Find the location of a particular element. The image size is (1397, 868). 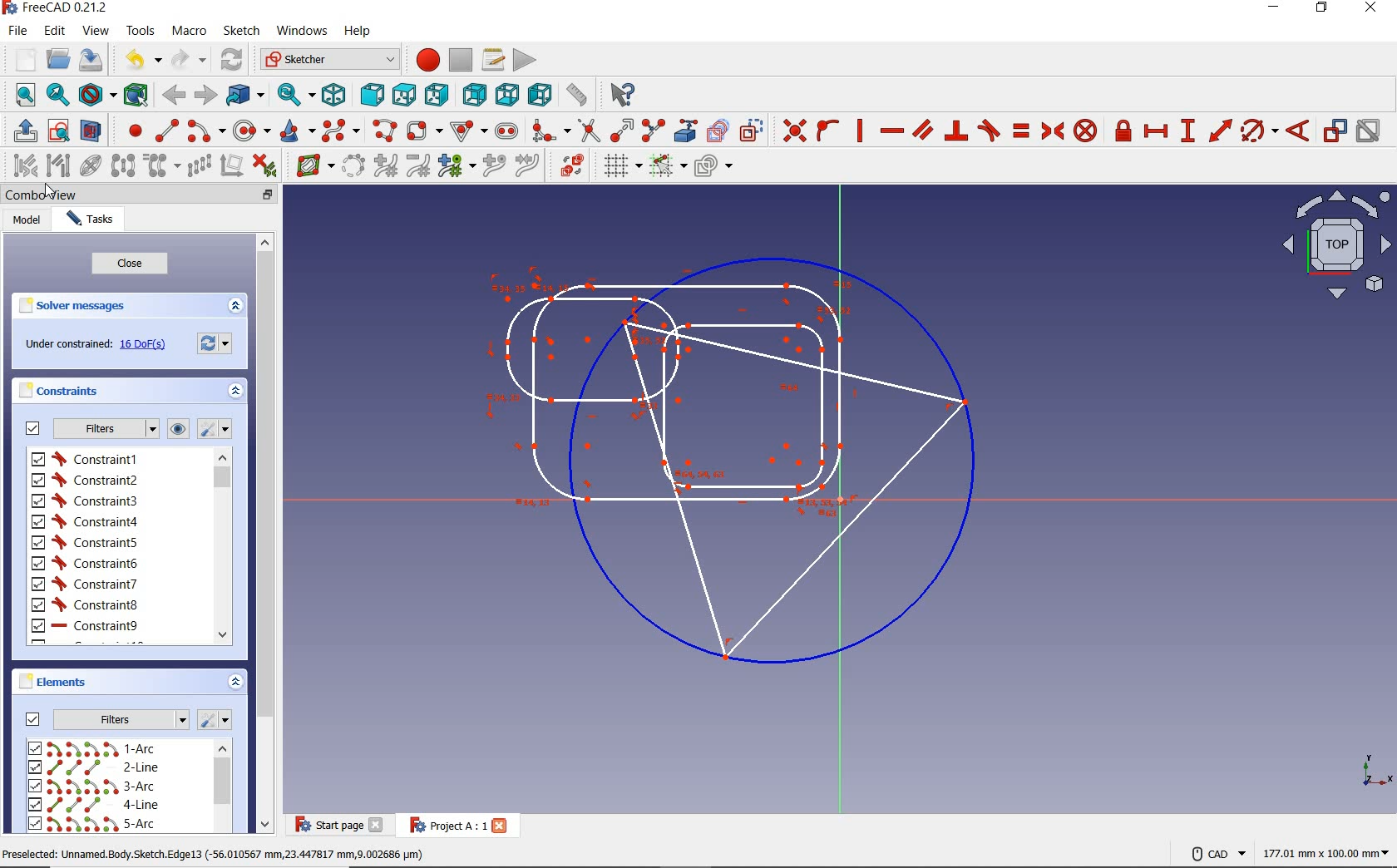

expand is located at coordinates (236, 305).